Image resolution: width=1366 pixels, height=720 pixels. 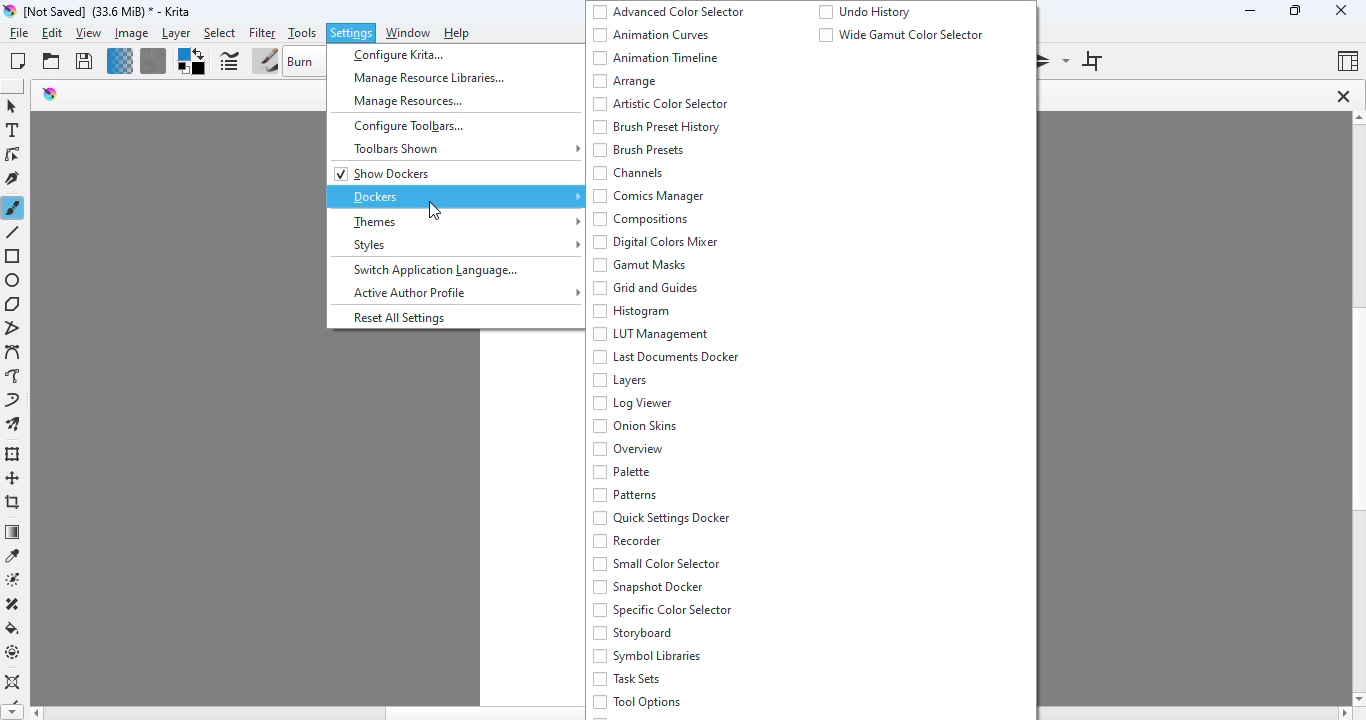 I want to click on gamut masks, so click(x=641, y=264).